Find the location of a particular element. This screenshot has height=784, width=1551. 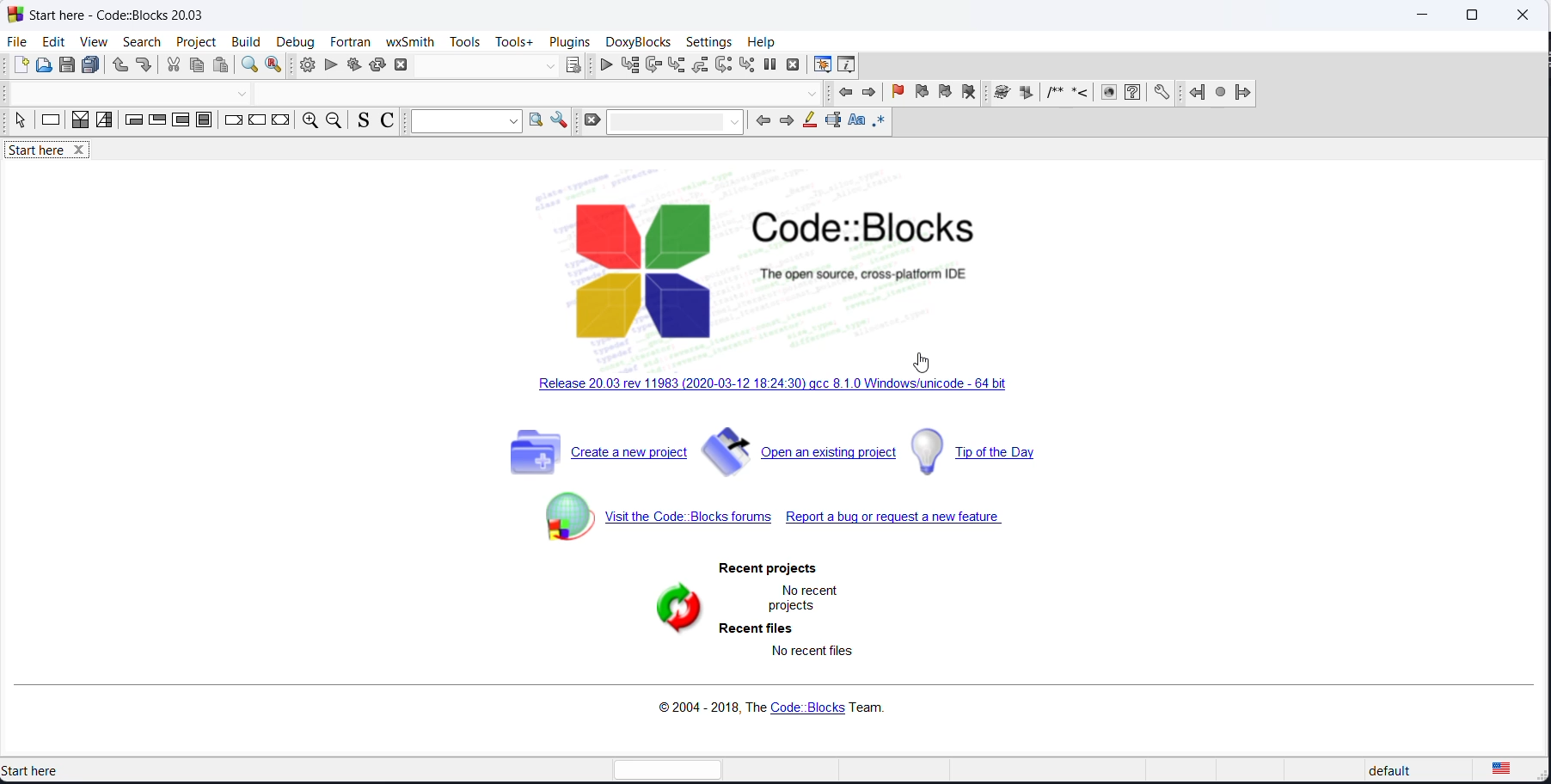

select is located at coordinates (17, 123).